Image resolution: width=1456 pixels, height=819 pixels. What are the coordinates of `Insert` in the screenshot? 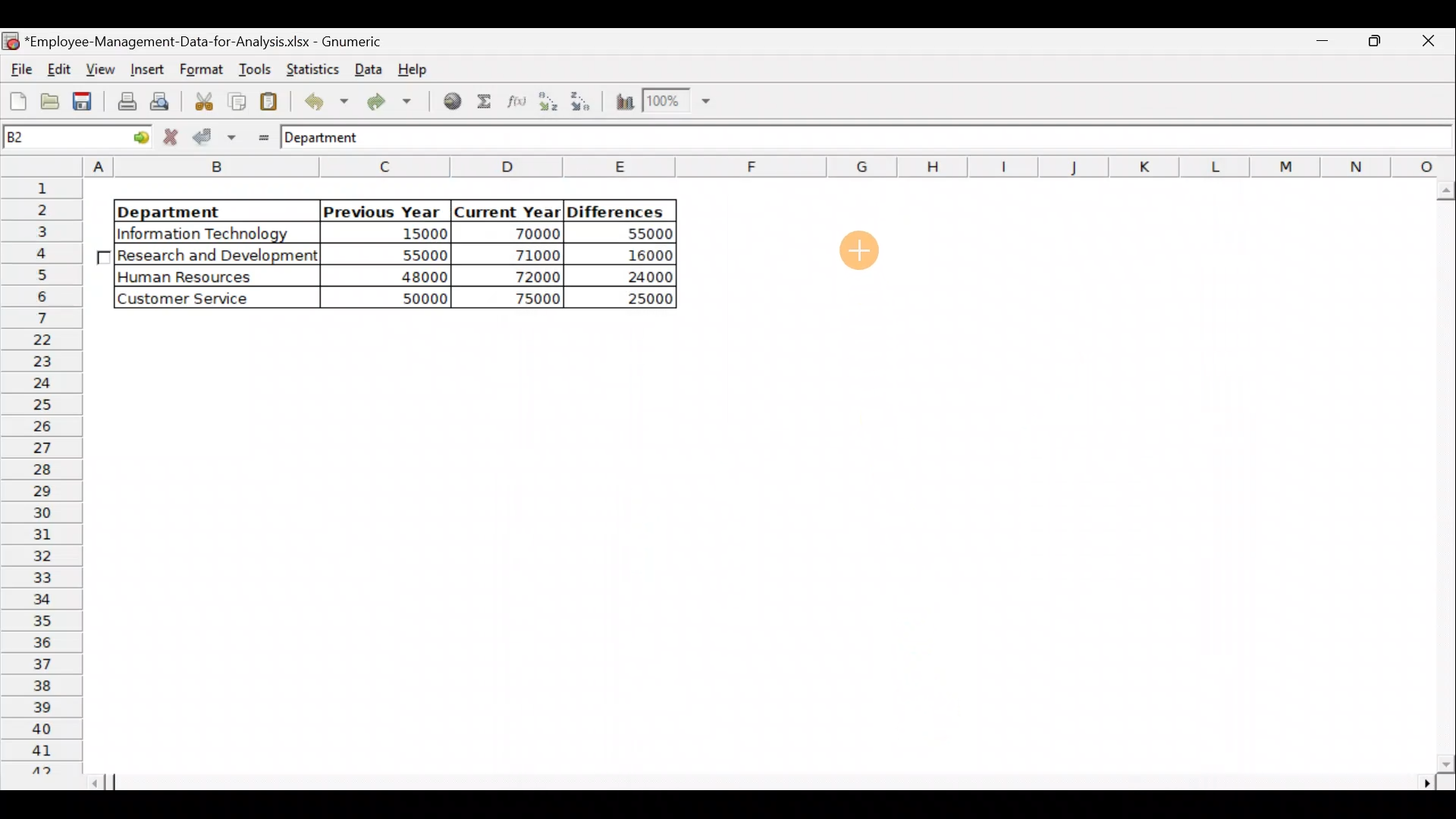 It's located at (146, 68).